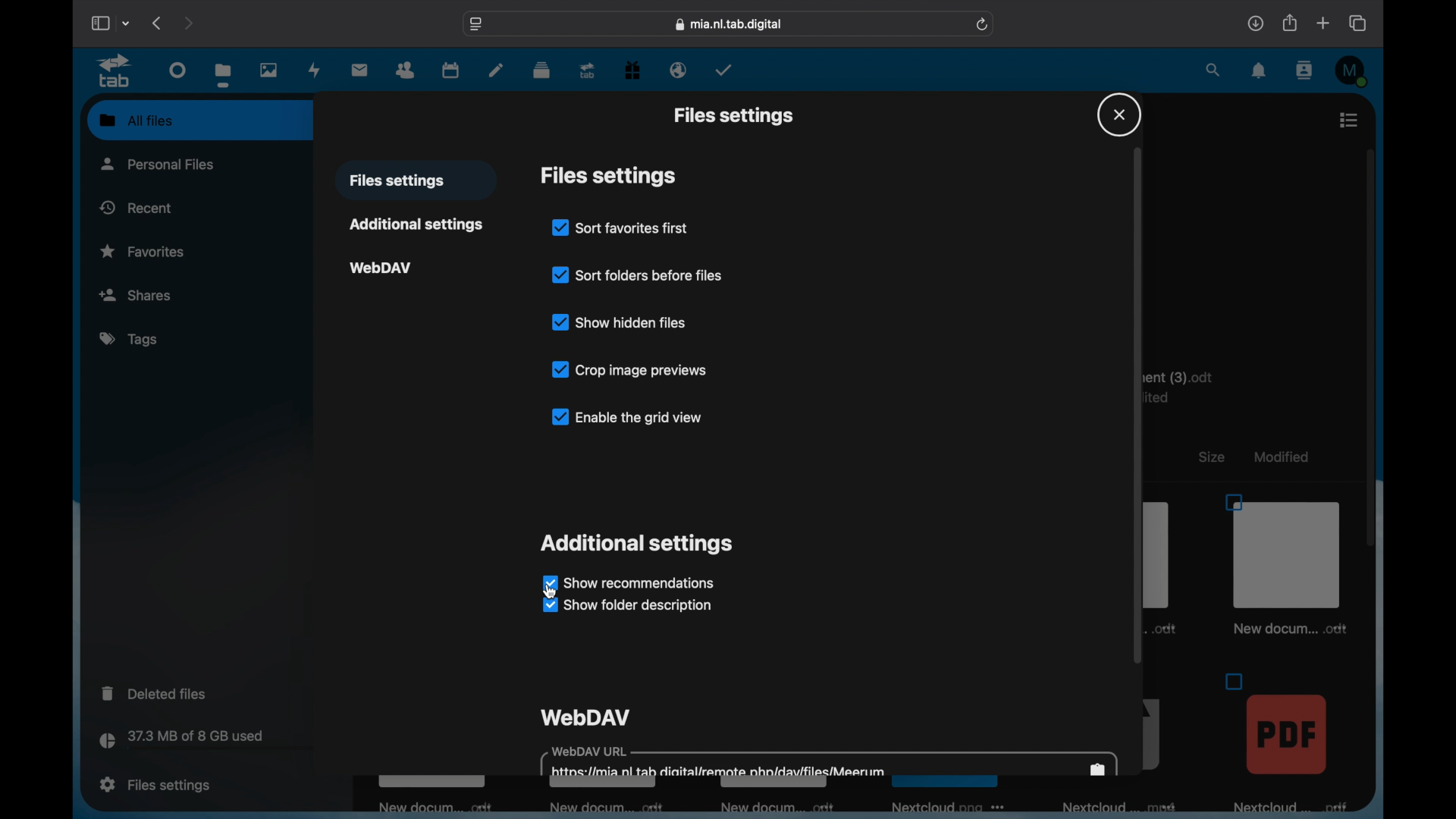  What do you see at coordinates (637, 544) in the screenshot?
I see `additional settings` at bounding box center [637, 544].